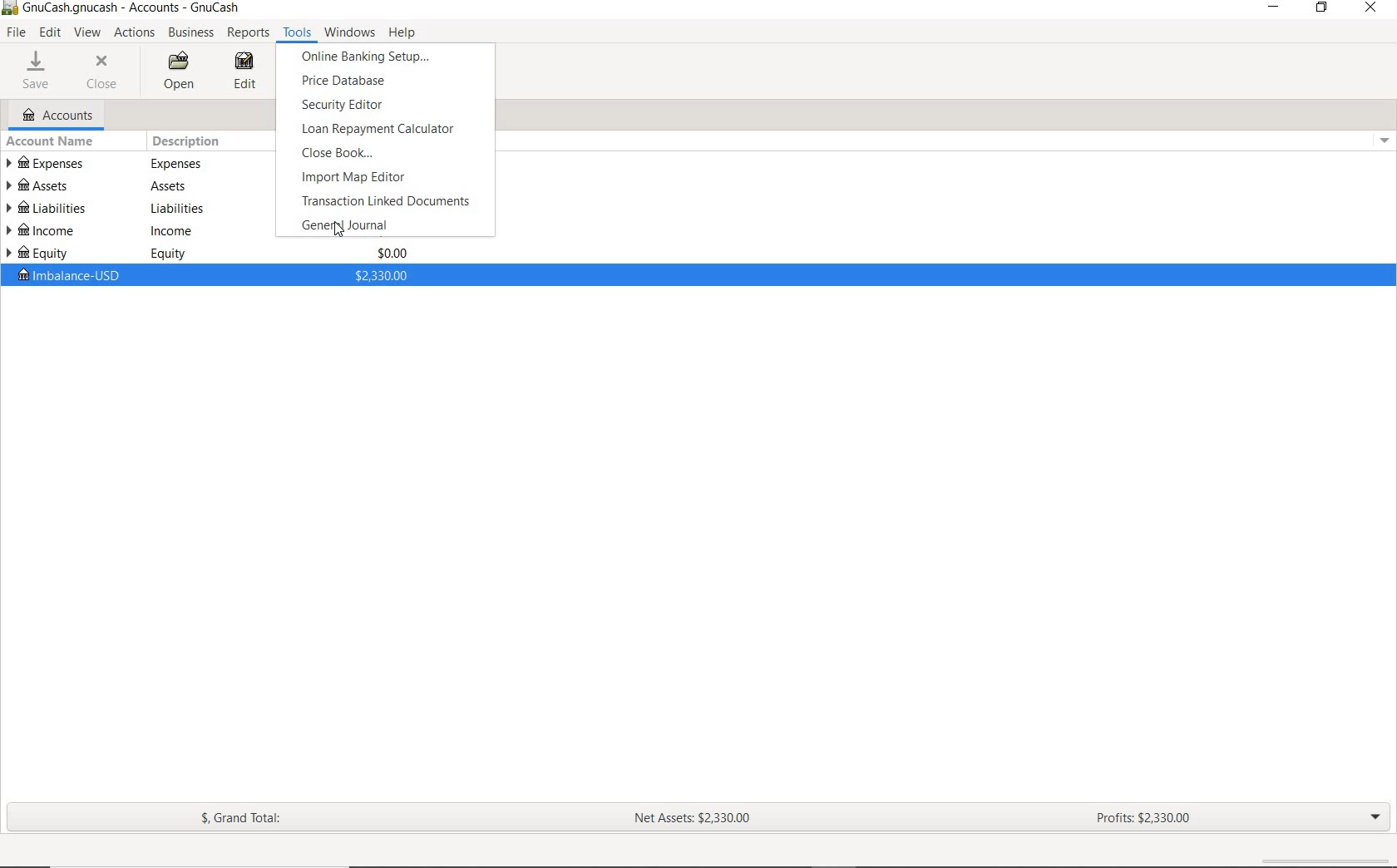 Image resolution: width=1397 pixels, height=868 pixels. What do you see at coordinates (385, 80) in the screenshot?
I see `PRICE DATABASE` at bounding box center [385, 80].